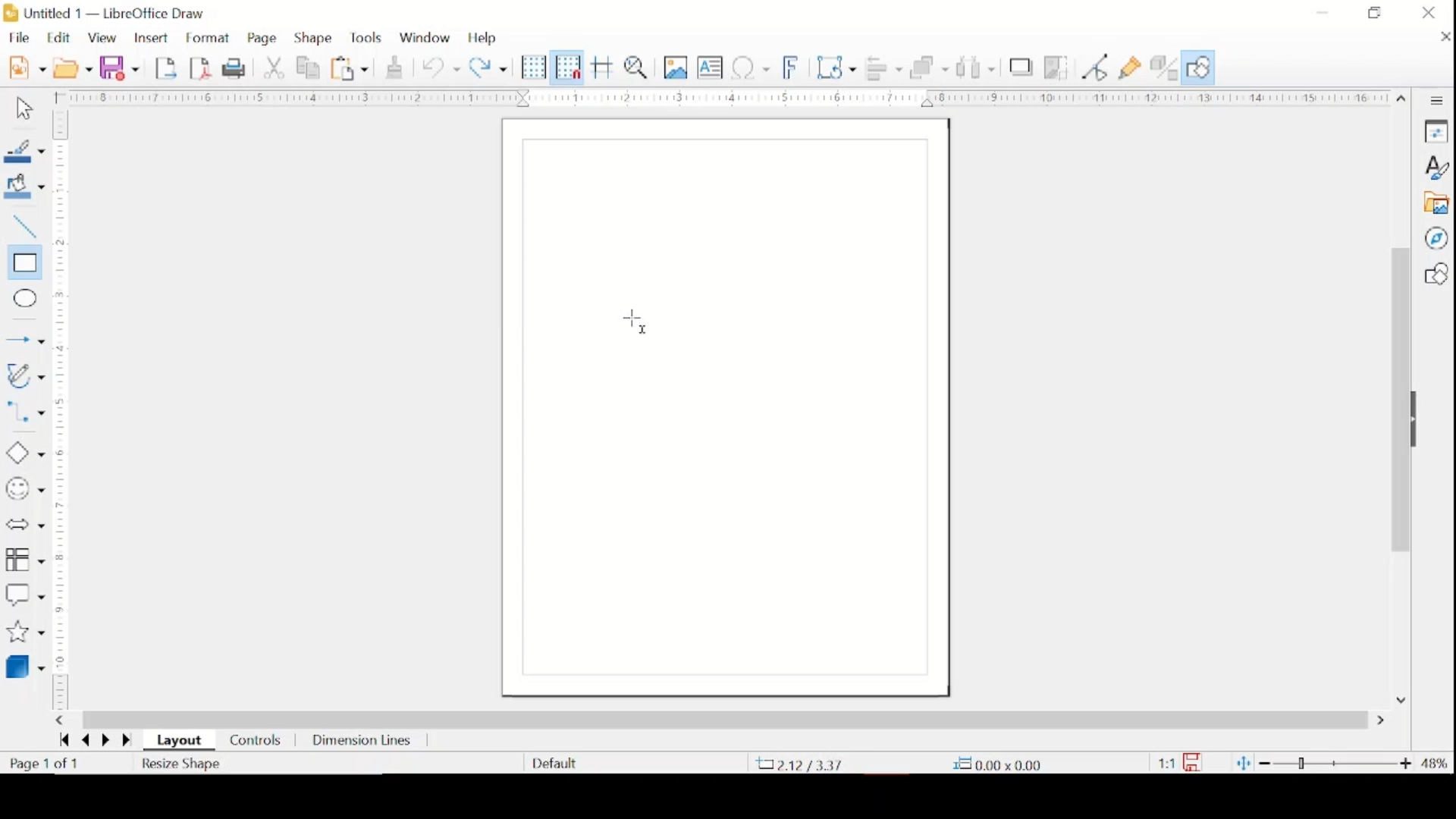  What do you see at coordinates (83, 741) in the screenshot?
I see `previous` at bounding box center [83, 741].